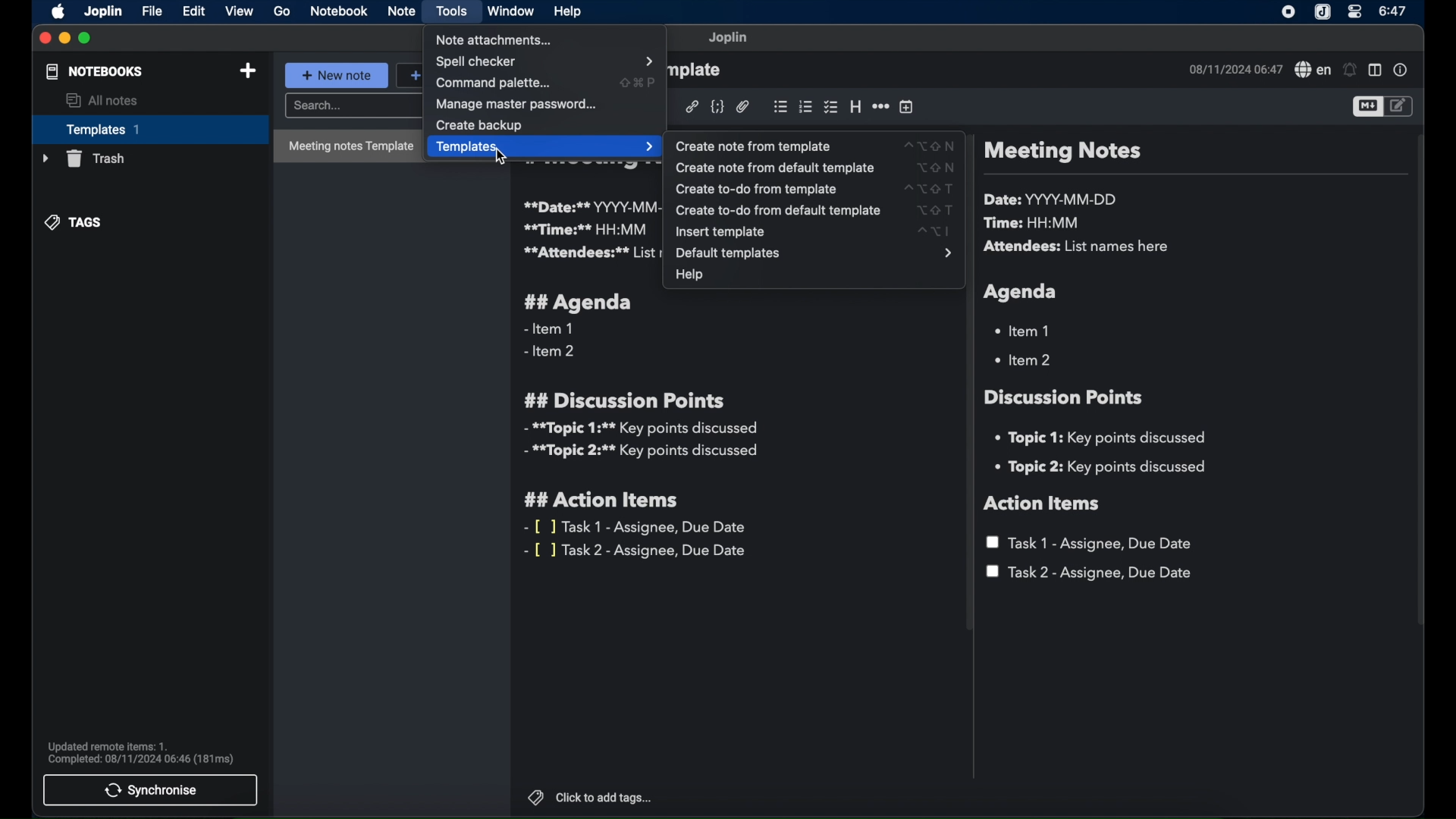 This screenshot has width=1456, height=819. What do you see at coordinates (1053, 199) in the screenshot?
I see `date: YYYY-MM-DD` at bounding box center [1053, 199].